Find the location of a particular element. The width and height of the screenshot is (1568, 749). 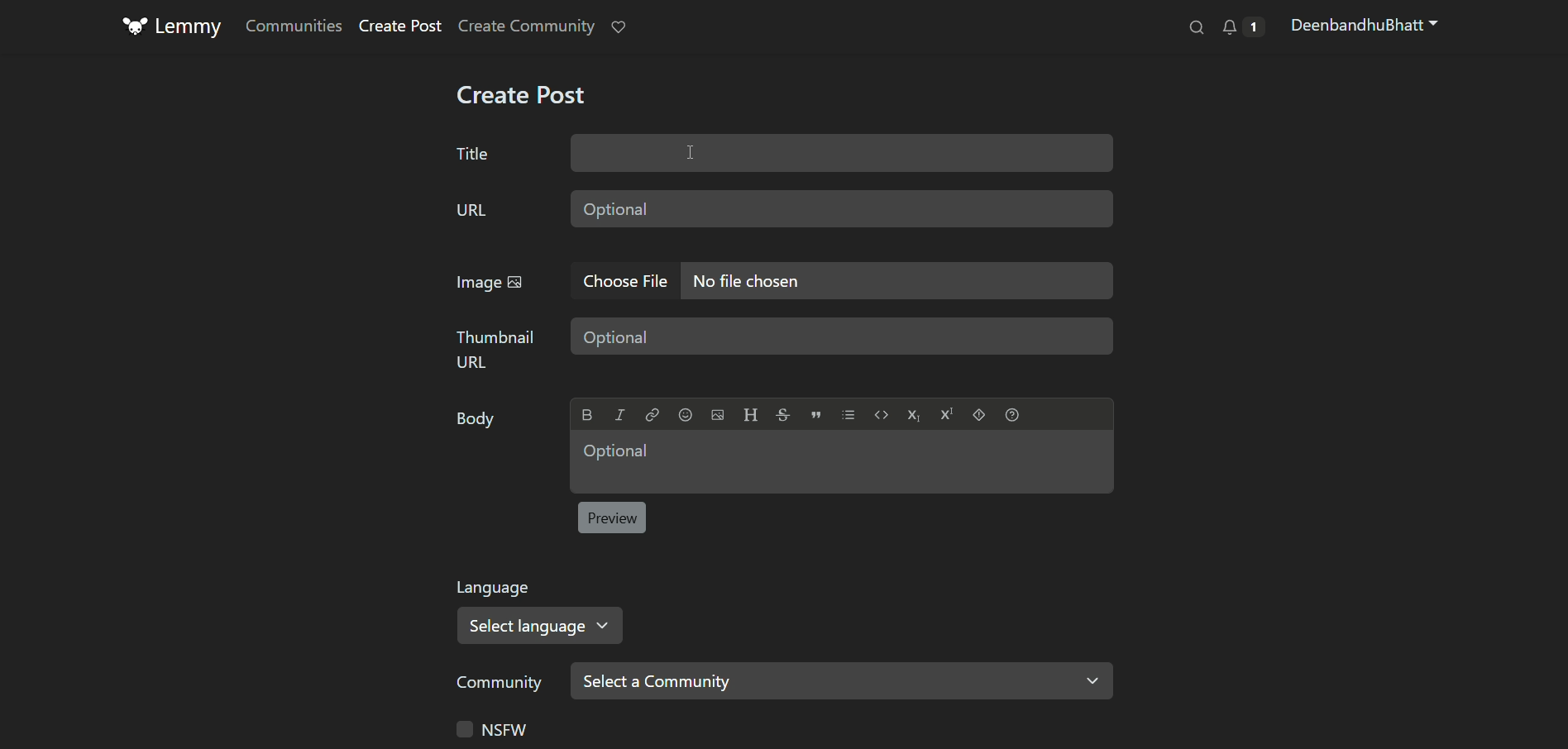

find is located at coordinates (1192, 30).